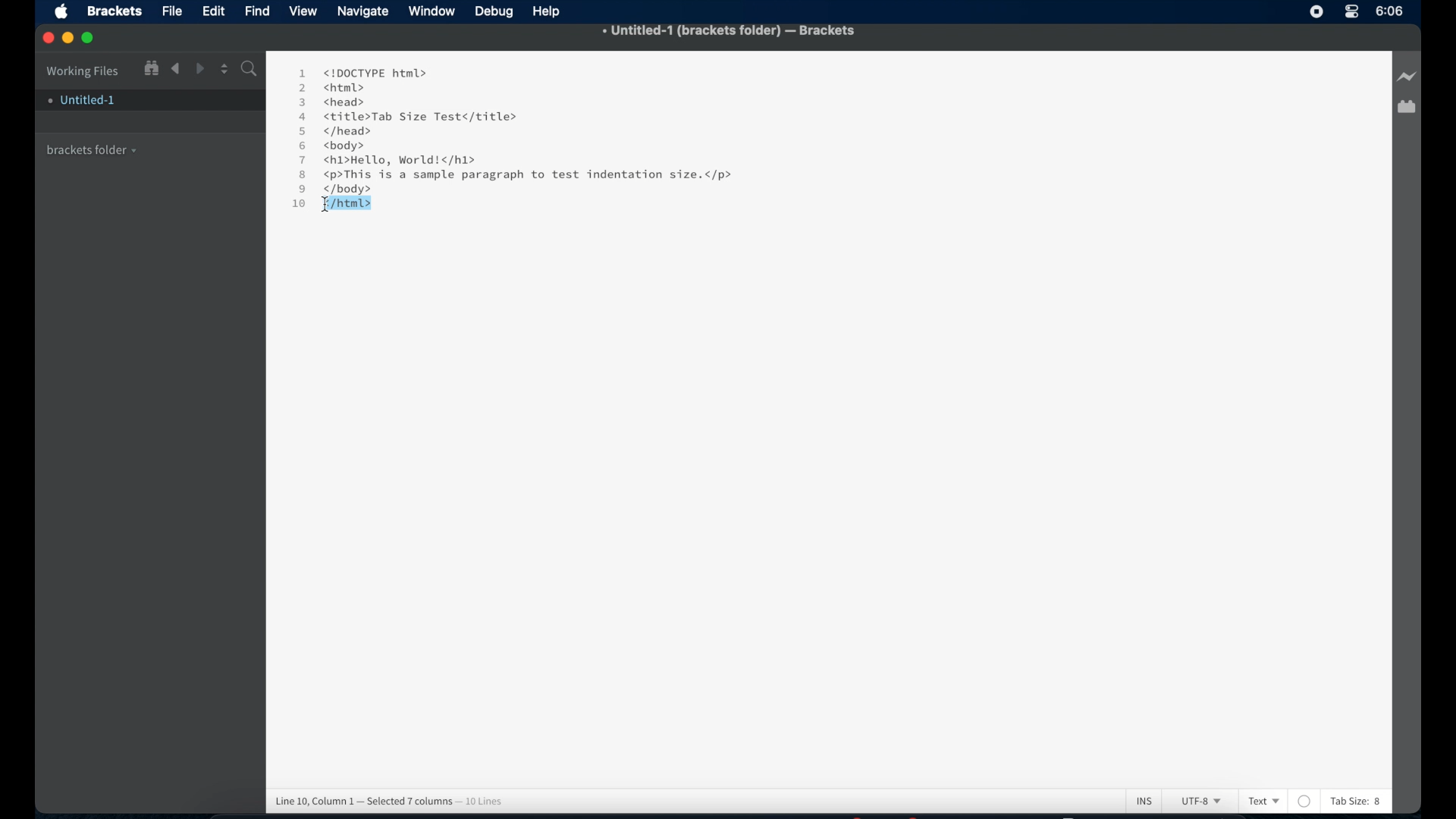 The image size is (1456, 819). What do you see at coordinates (1198, 802) in the screenshot?
I see `UTF-8` at bounding box center [1198, 802].